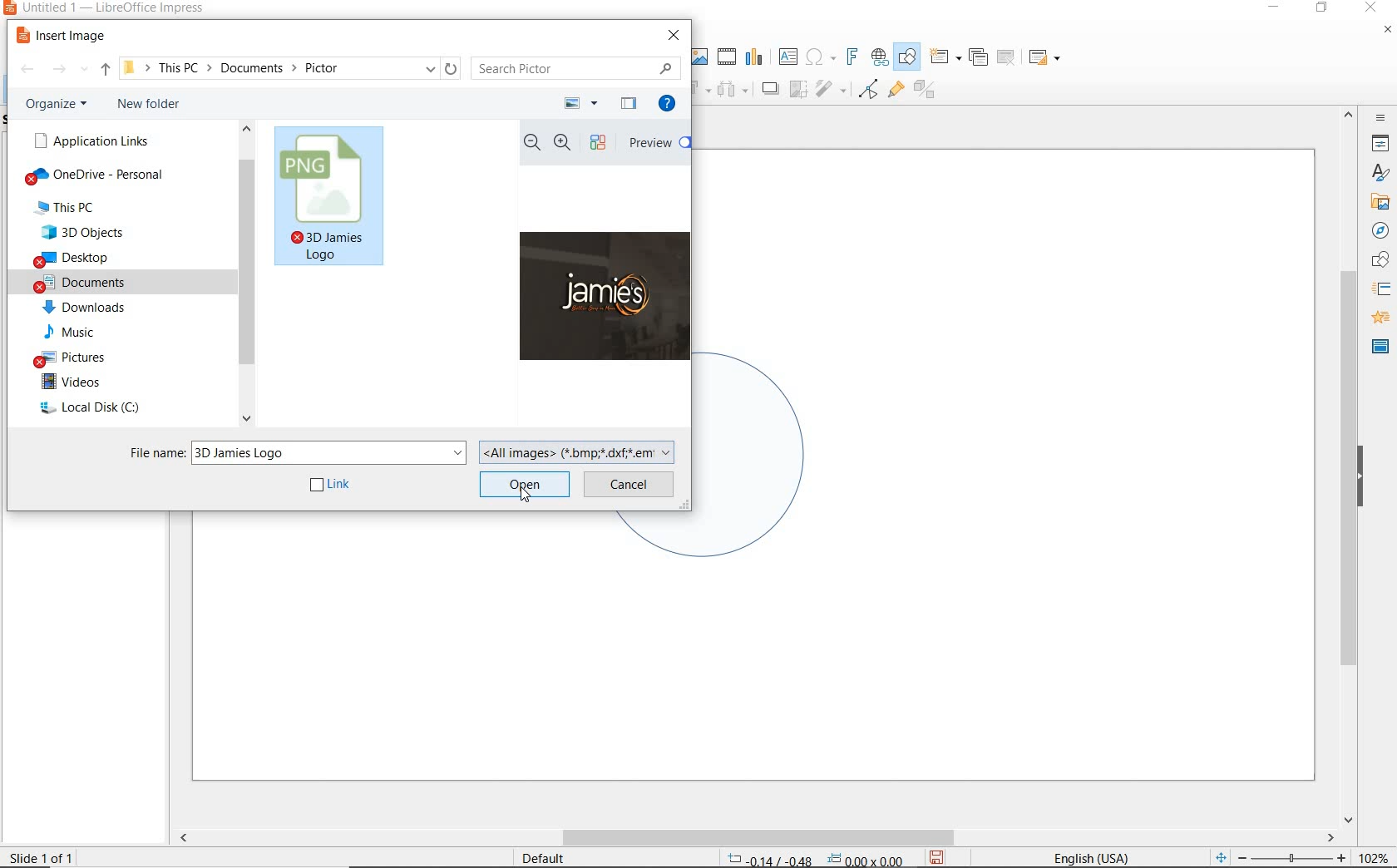  What do you see at coordinates (1370, 8) in the screenshot?
I see `close` at bounding box center [1370, 8].